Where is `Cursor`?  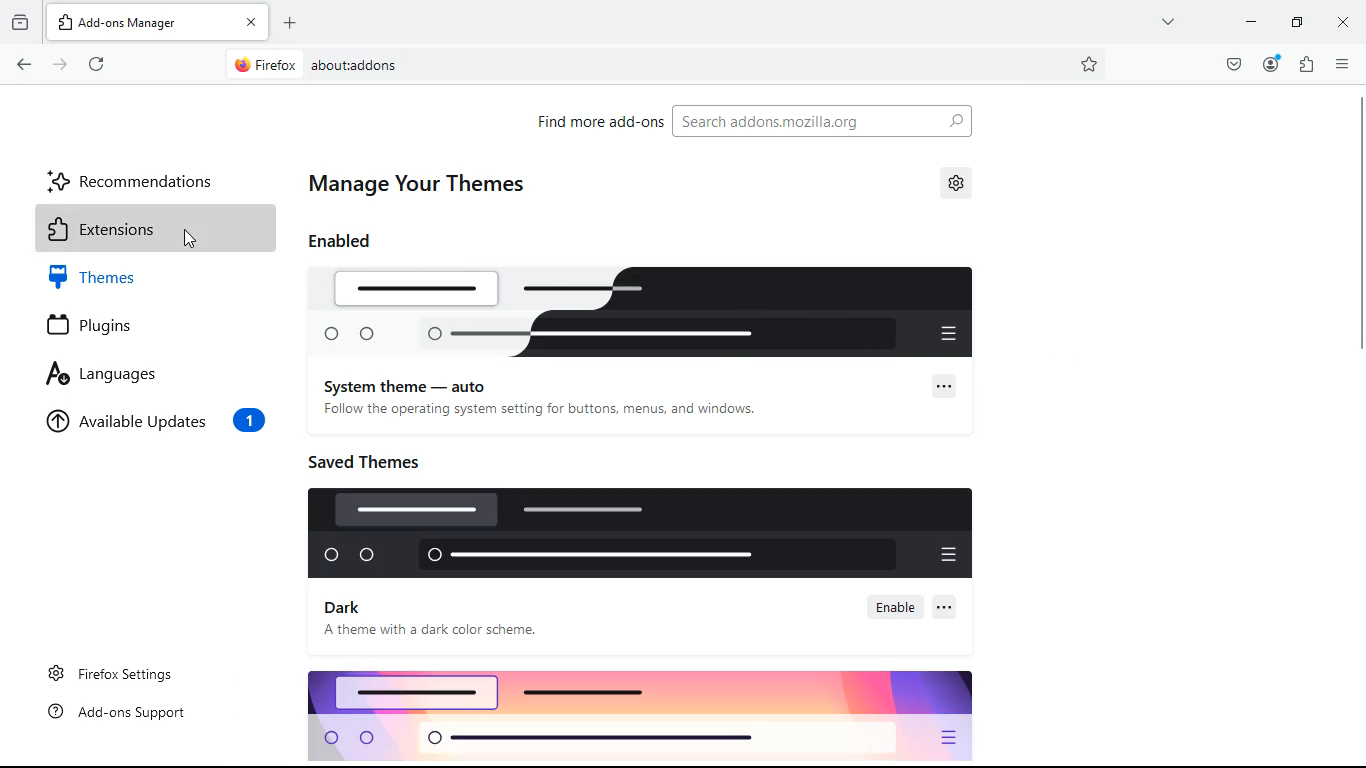 Cursor is located at coordinates (196, 230).